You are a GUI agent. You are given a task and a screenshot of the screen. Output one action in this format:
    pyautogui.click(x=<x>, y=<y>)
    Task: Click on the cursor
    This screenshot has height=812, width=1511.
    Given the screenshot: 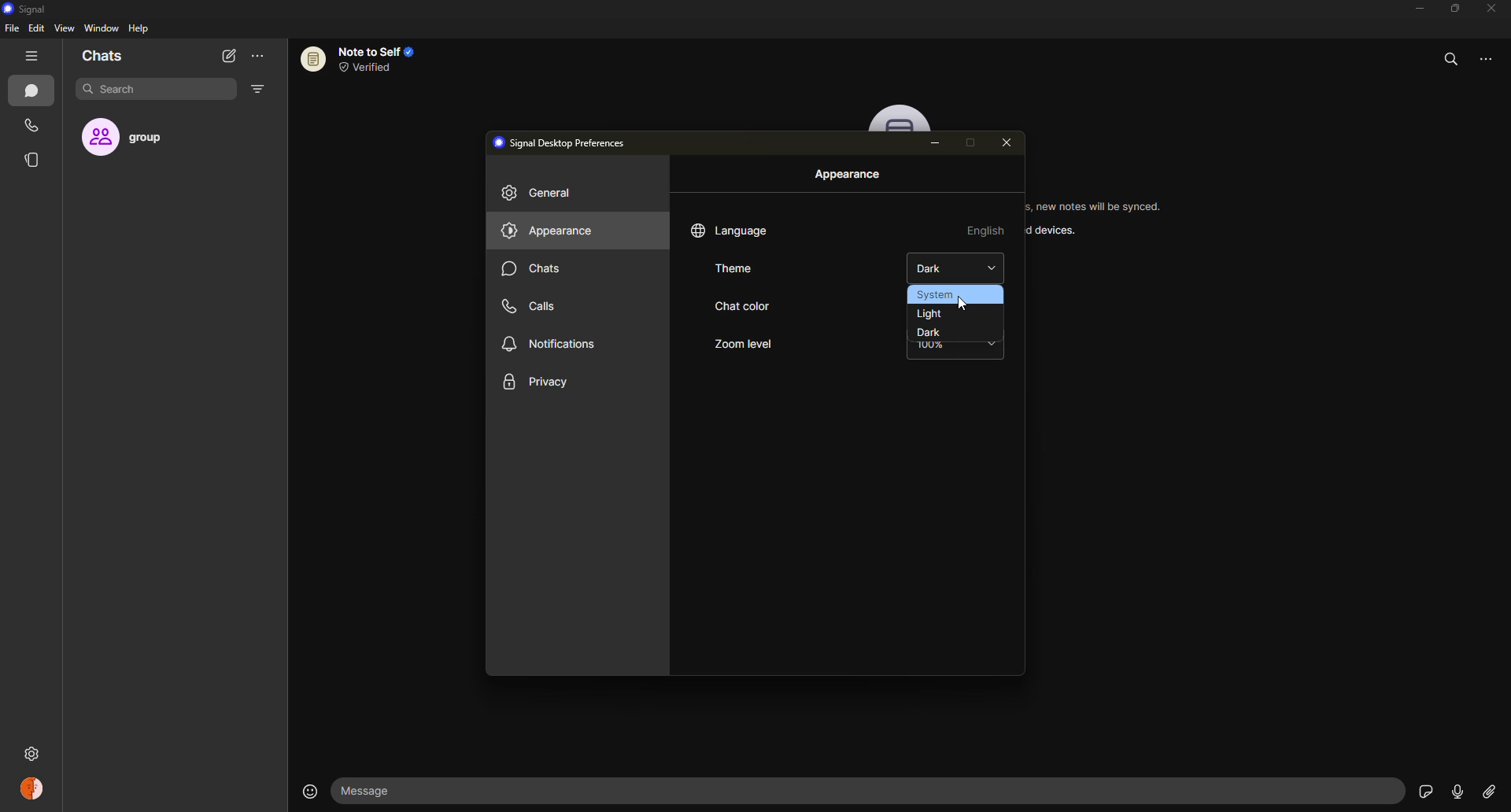 What is the action you would take?
    pyautogui.click(x=966, y=310)
    